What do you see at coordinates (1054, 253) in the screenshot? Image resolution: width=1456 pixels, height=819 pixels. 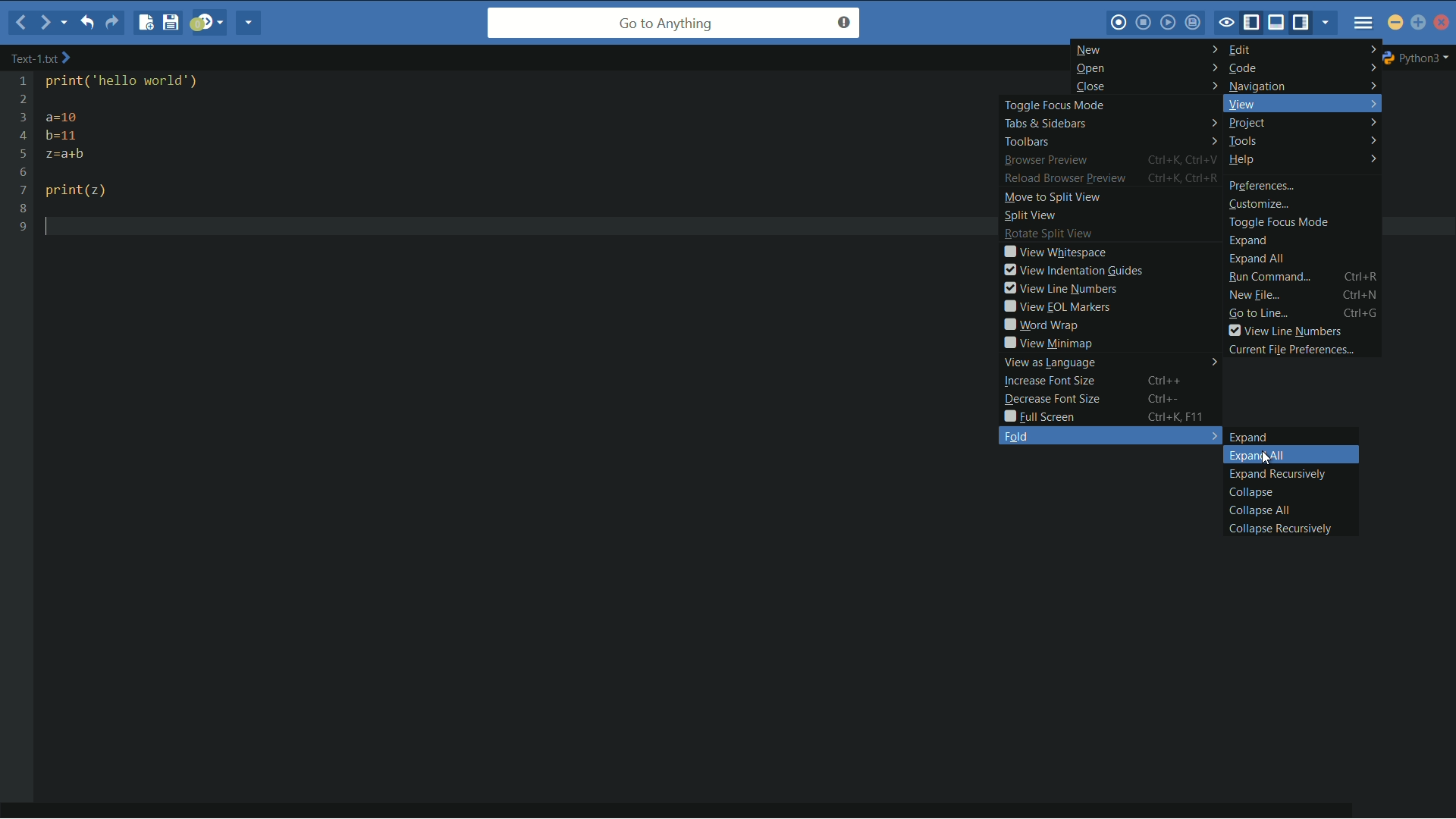 I see `view whitespace` at bounding box center [1054, 253].